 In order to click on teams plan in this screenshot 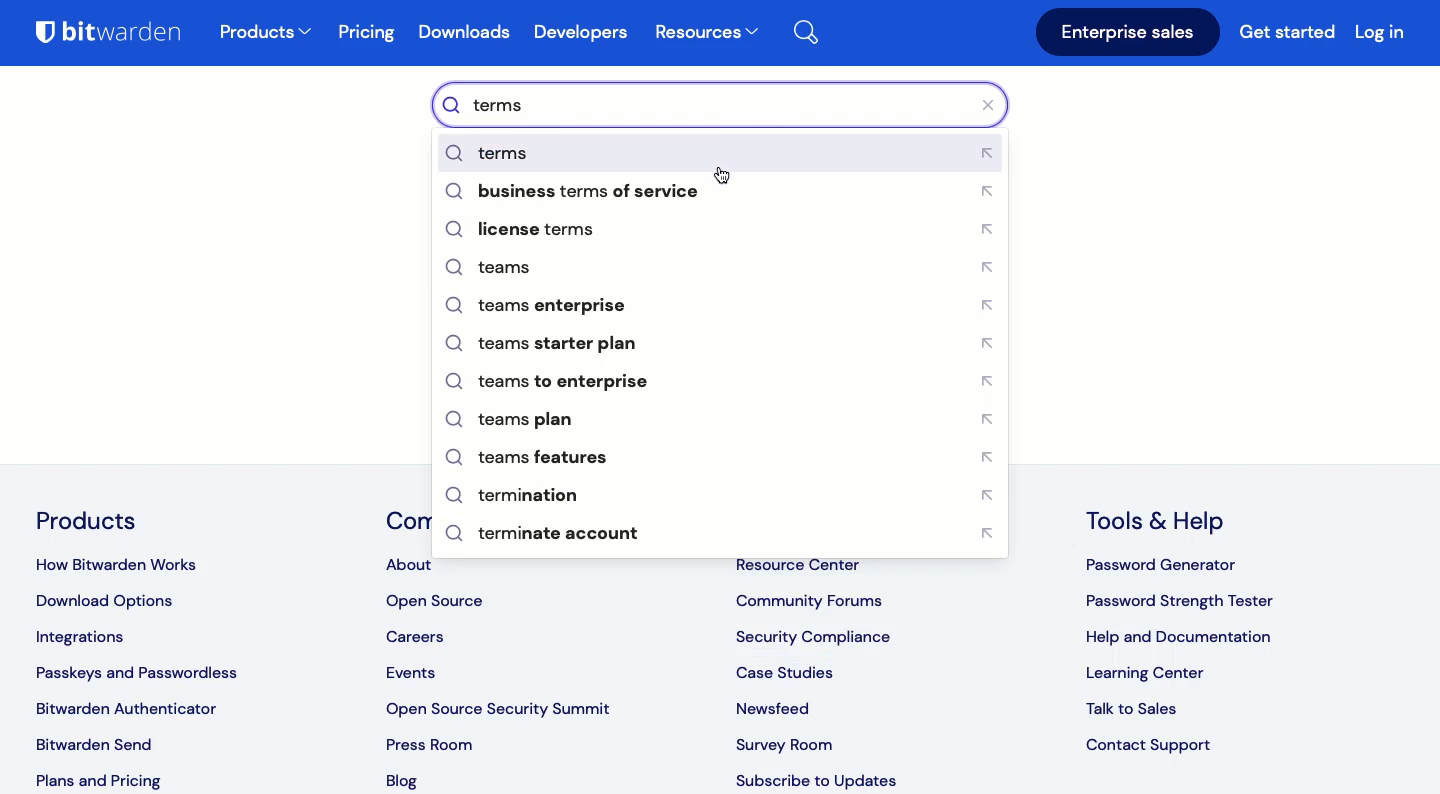, I will do `click(725, 420)`.